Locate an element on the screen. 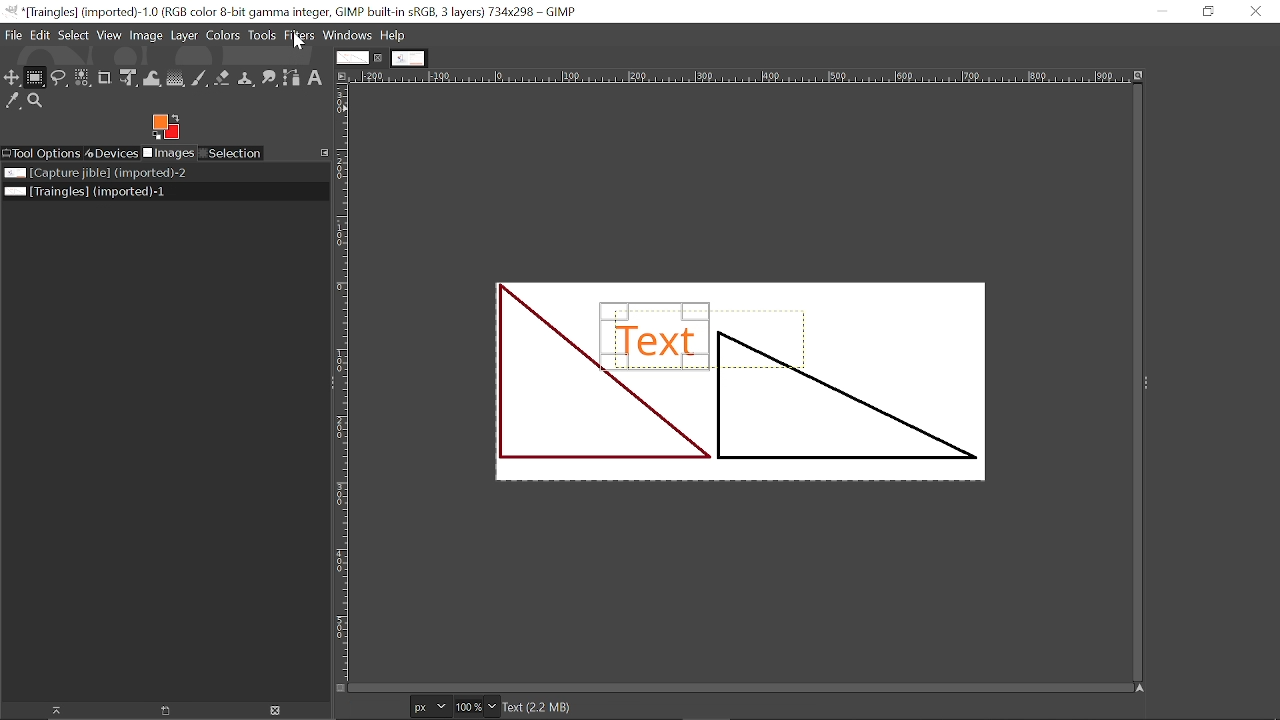 Image resolution: width=1280 pixels, height=720 pixels. Cursor is located at coordinates (300, 42).